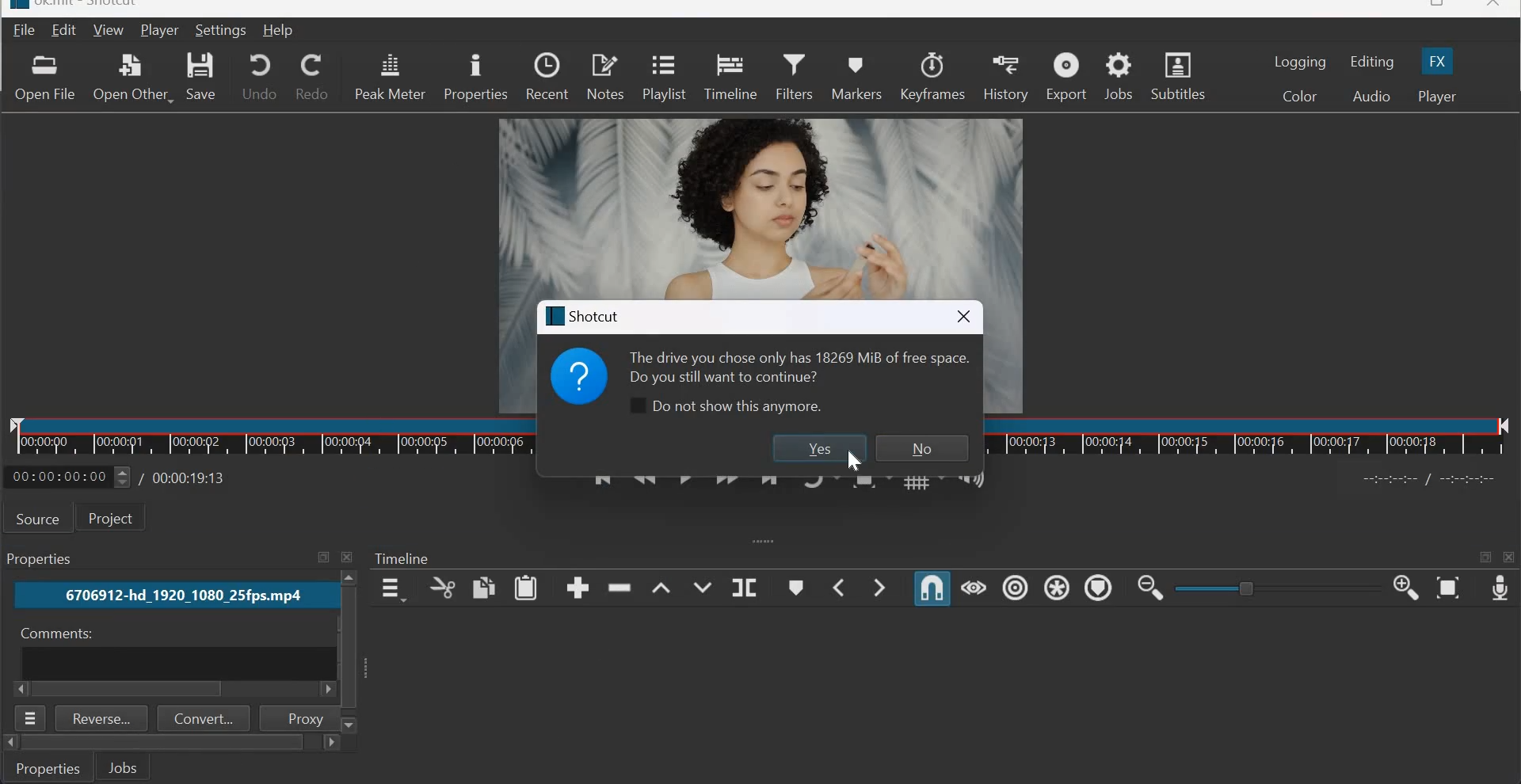  What do you see at coordinates (1374, 62) in the screenshot?
I see `Editing` at bounding box center [1374, 62].